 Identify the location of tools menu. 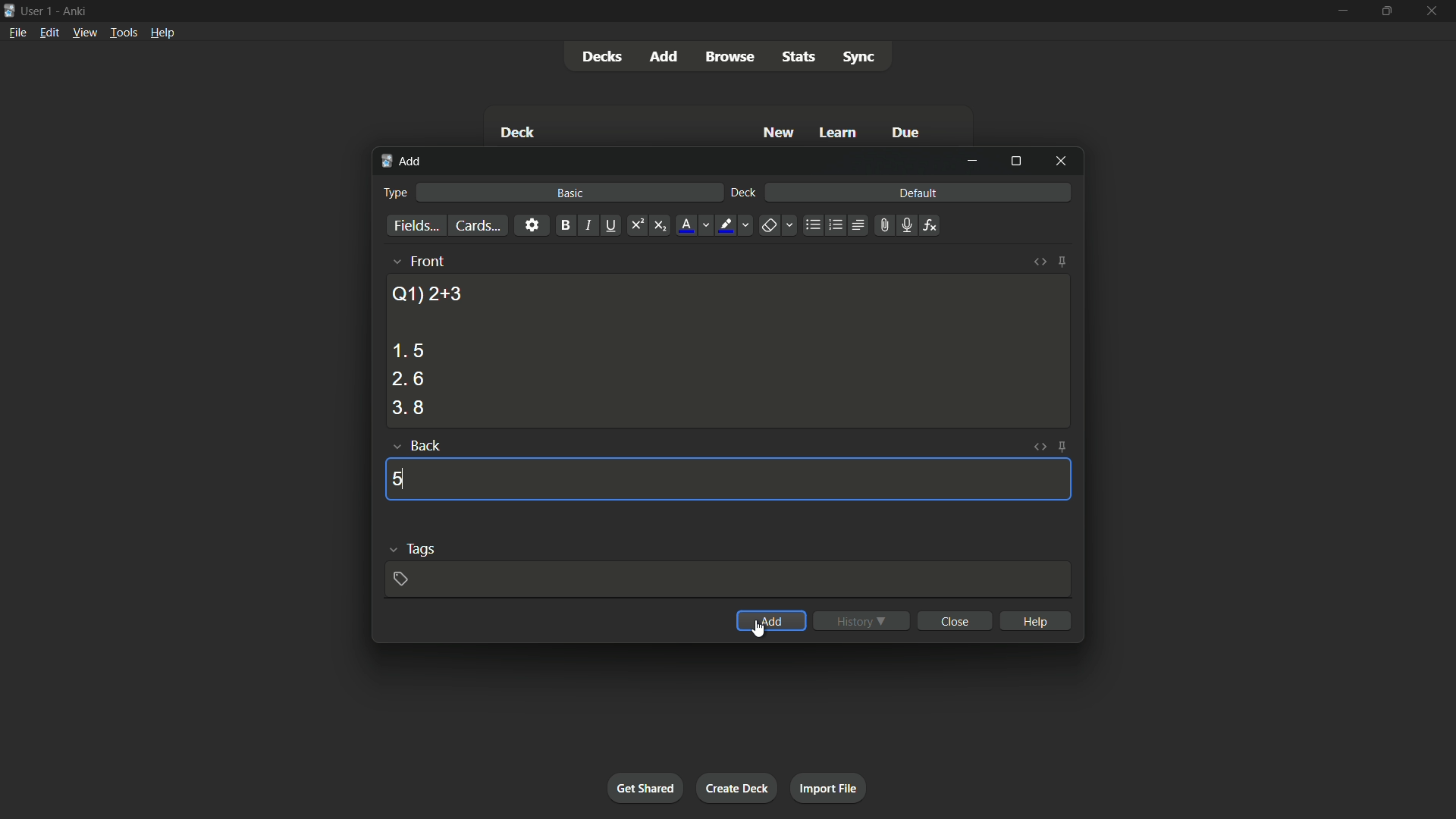
(123, 32).